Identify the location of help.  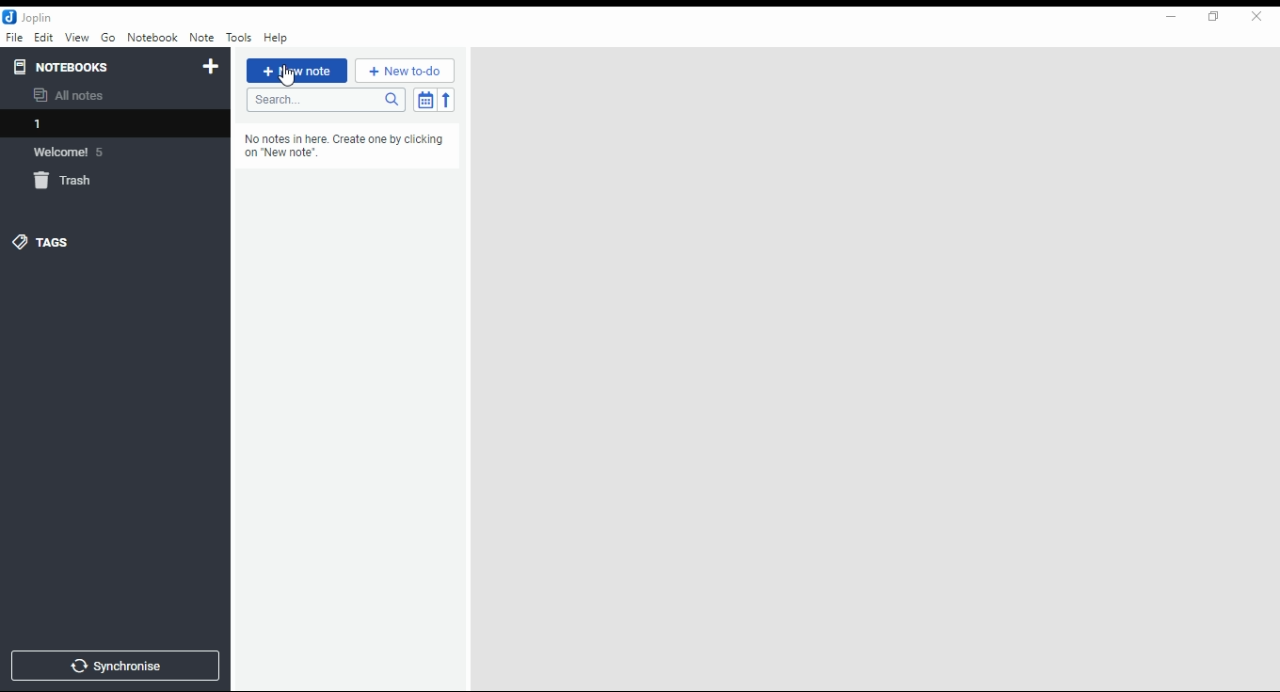
(276, 38).